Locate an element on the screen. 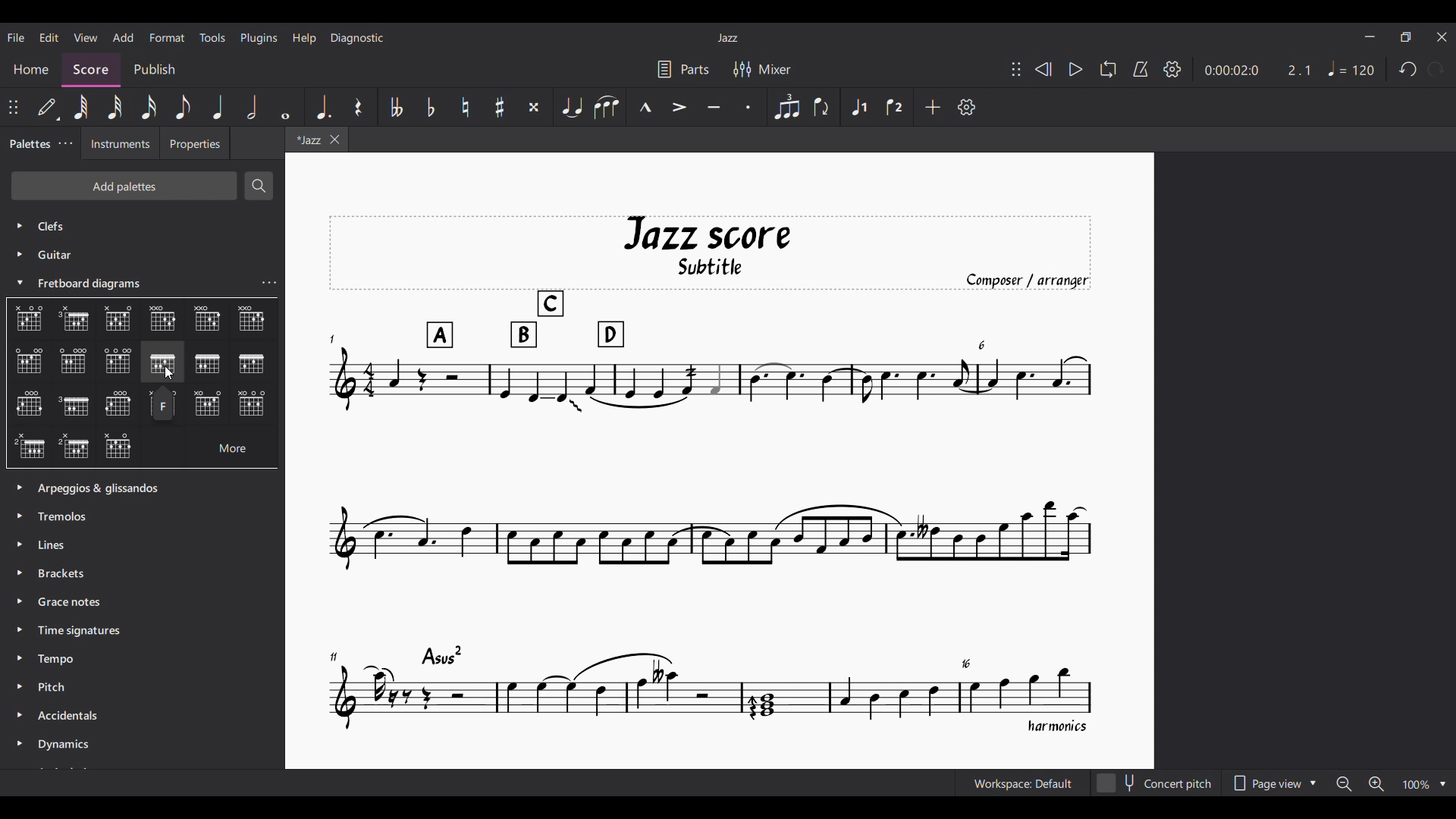 The width and height of the screenshot is (1456, 819). Show in smaller tab is located at coordinates (1406, 37).